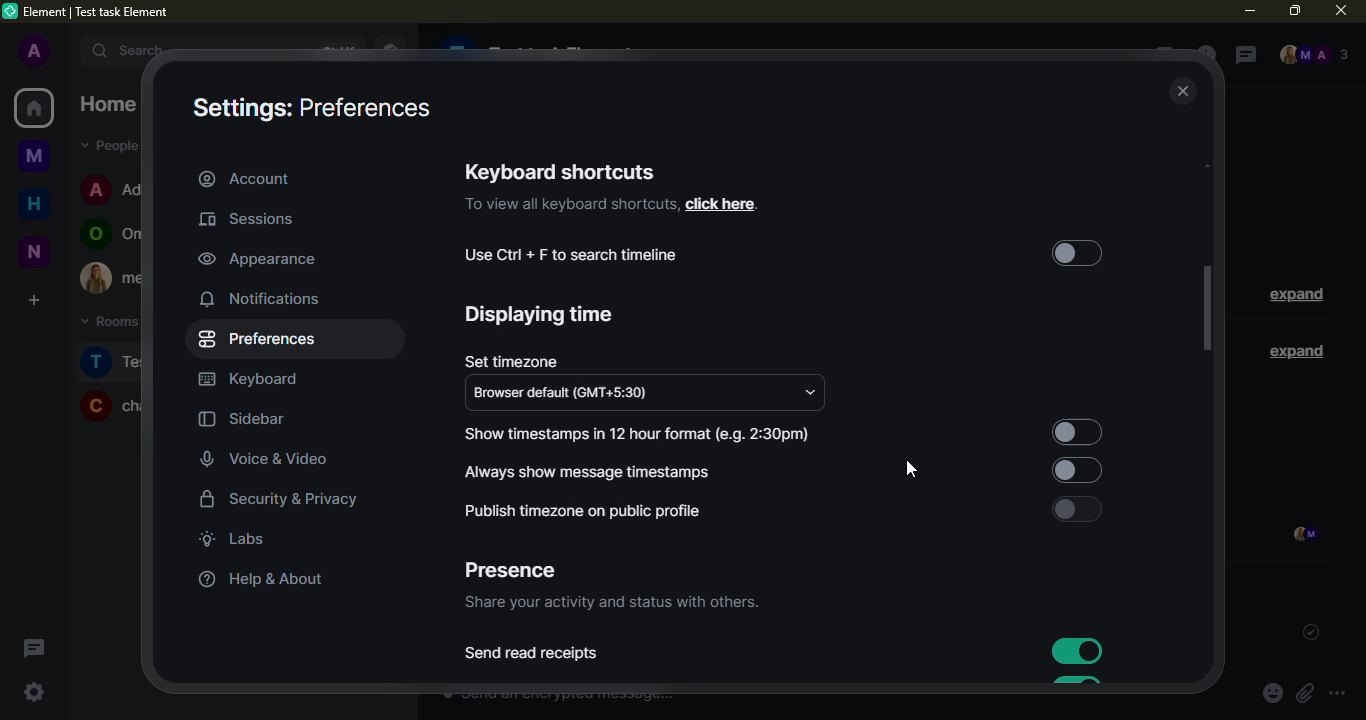 This screenshot has width=1366, height=720. Describe the element at coordinates (33, 251) in the screenshot. I see `new` at that location.